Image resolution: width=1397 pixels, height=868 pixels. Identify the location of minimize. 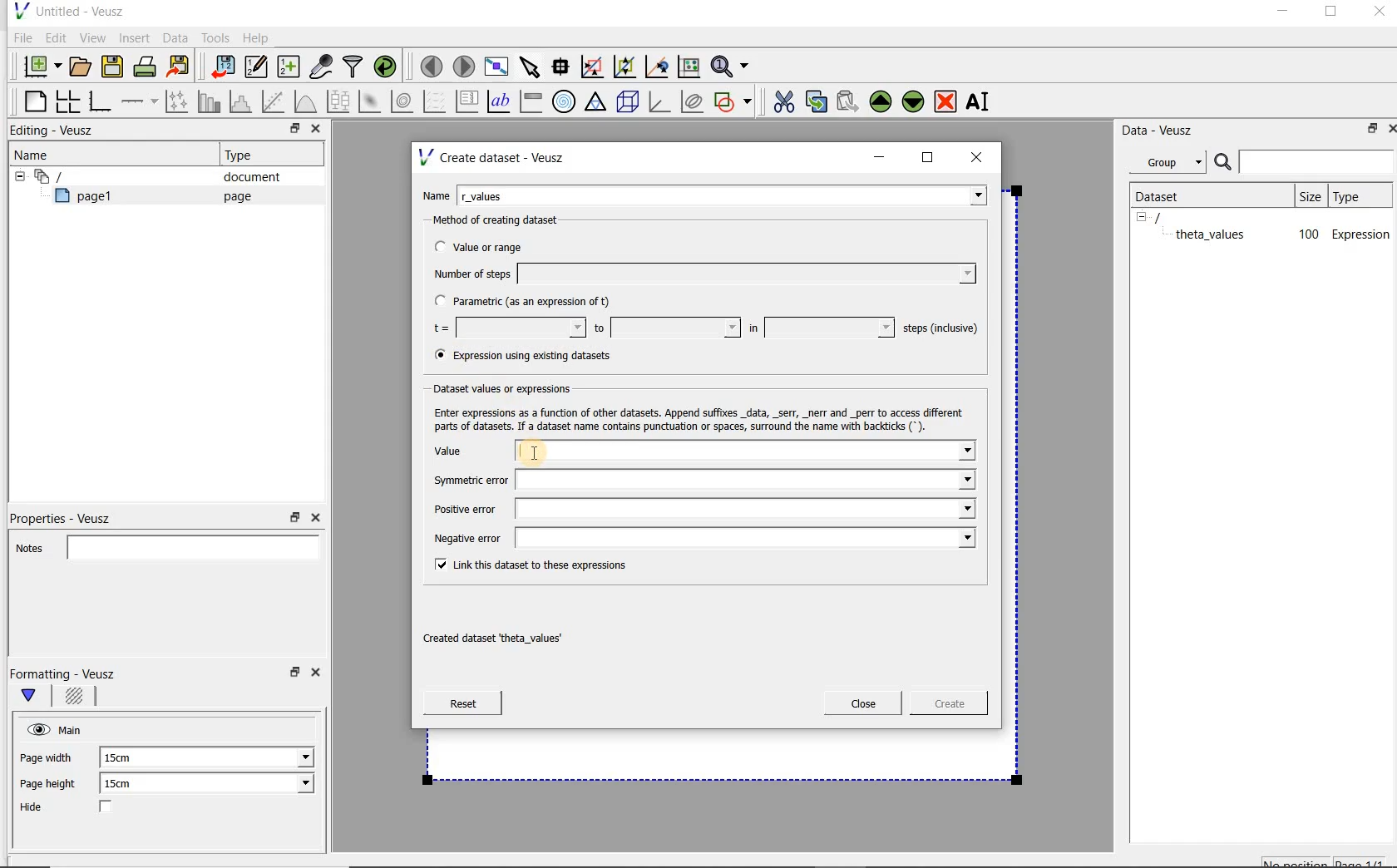
(880, 157).